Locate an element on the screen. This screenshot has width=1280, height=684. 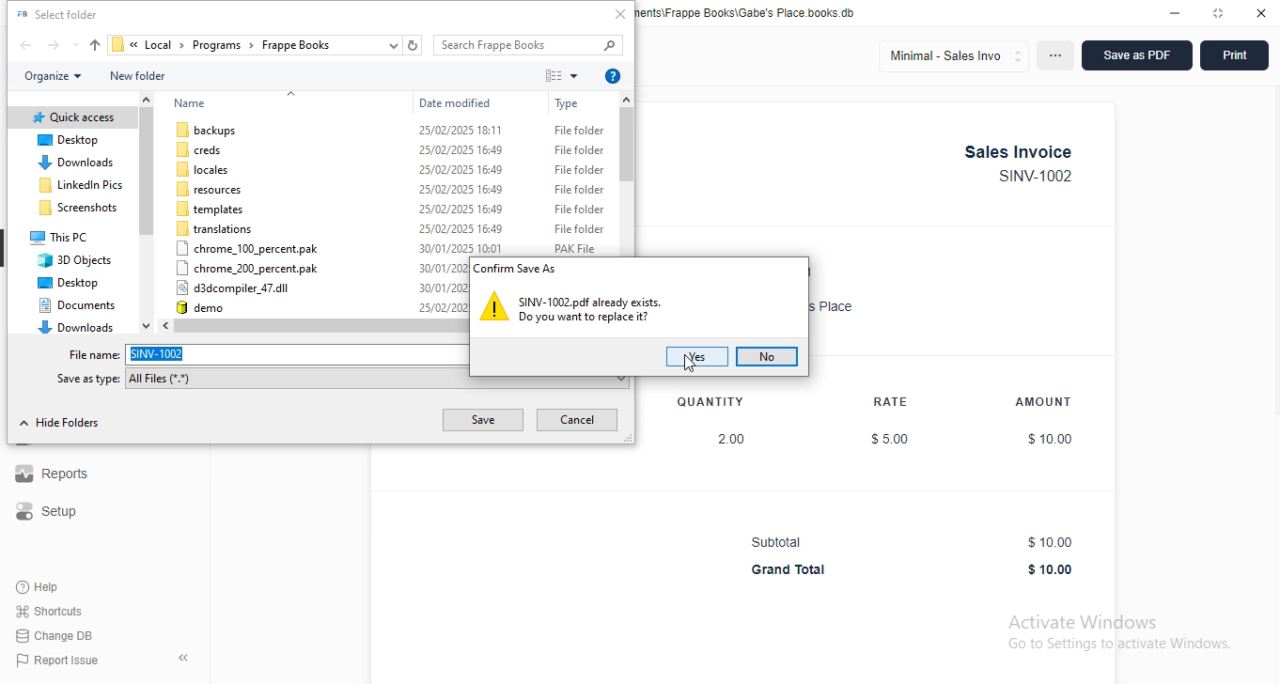
PAK file is located at coordinates (575, 249).